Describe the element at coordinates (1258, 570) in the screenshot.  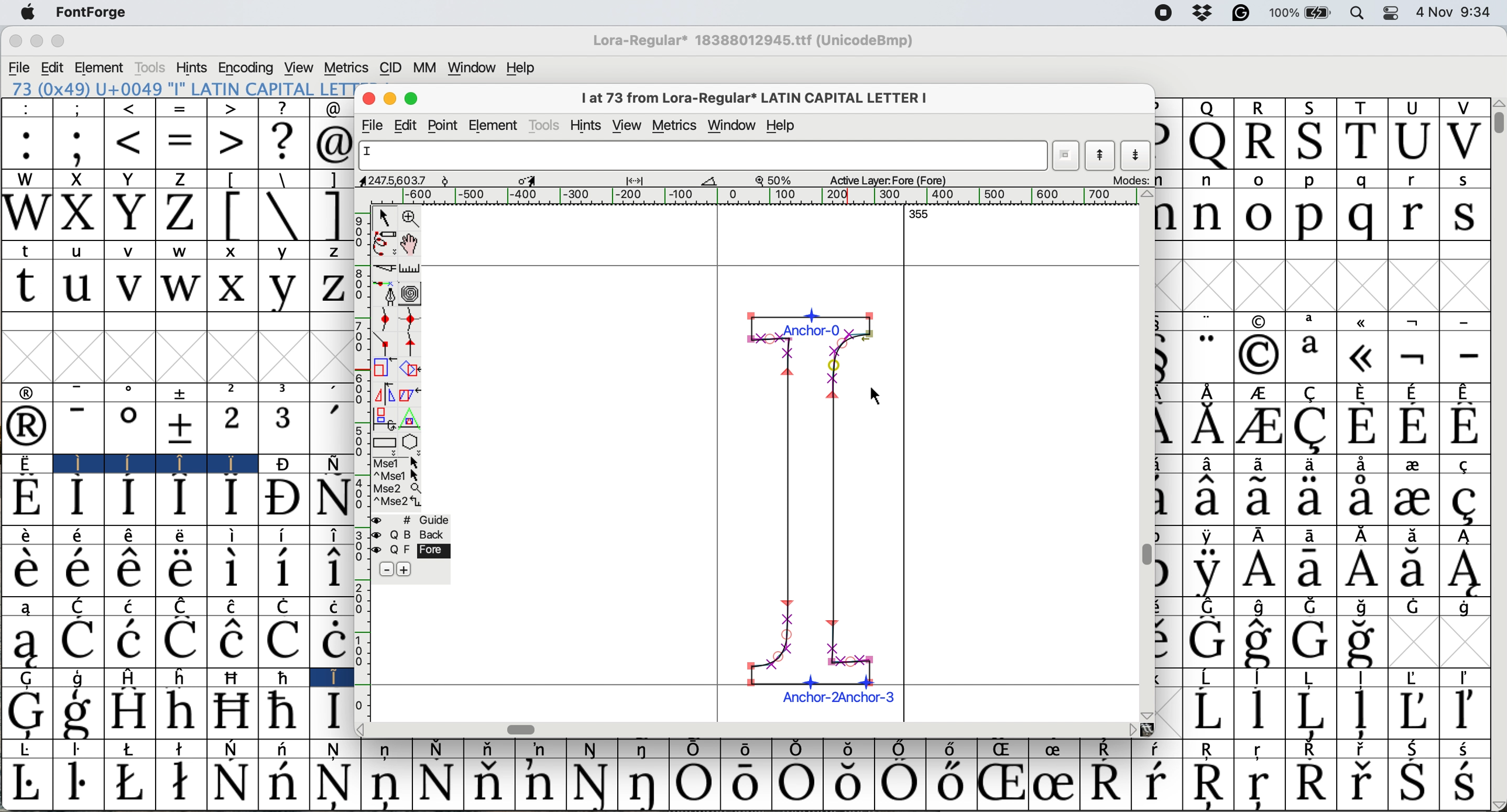
I see `Symbol` at that location.